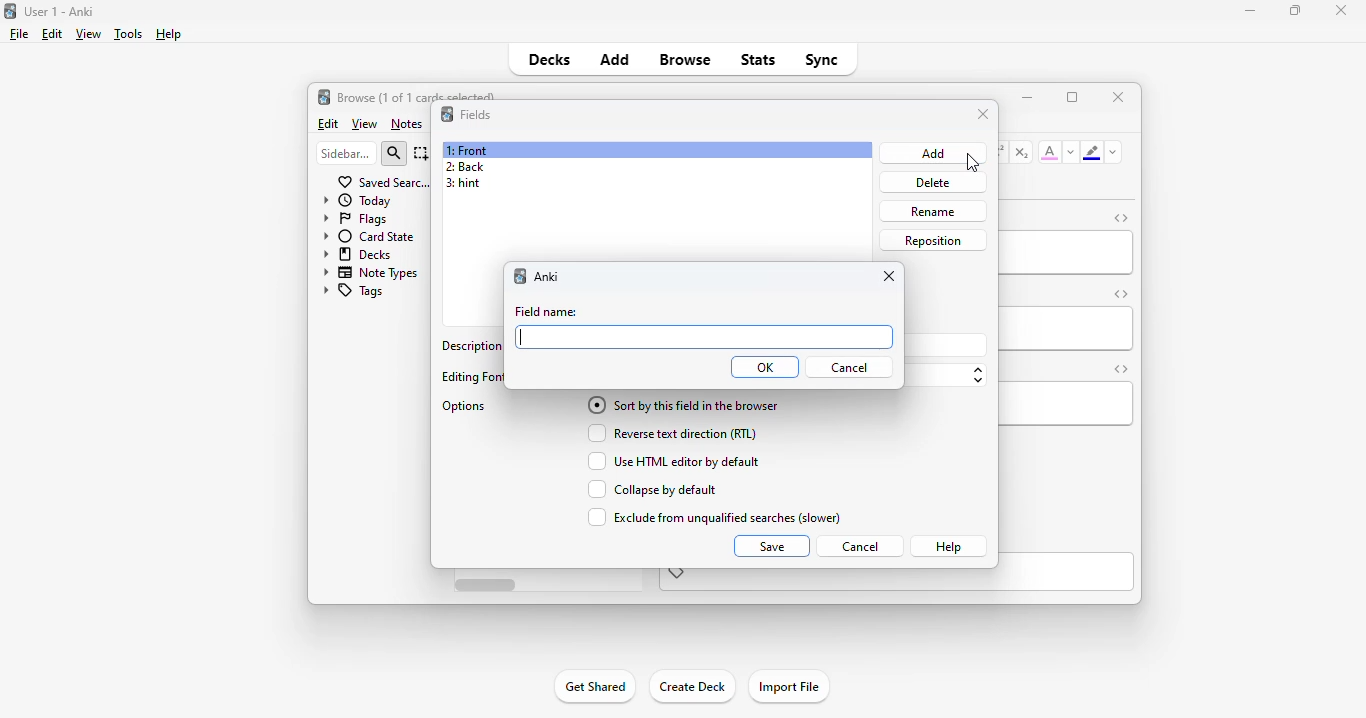 This screenshot has height=718, width=1366. I want to click on editing font, so click(471, 377).